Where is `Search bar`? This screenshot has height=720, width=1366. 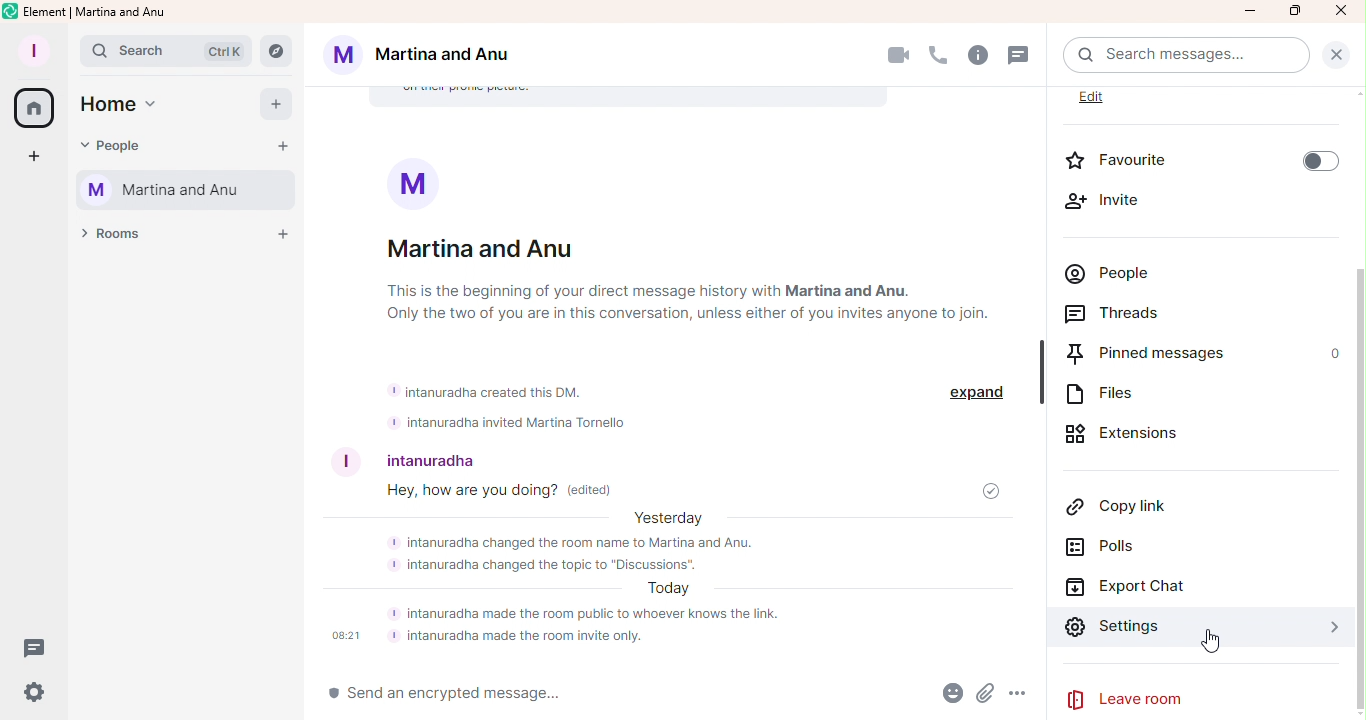 Search bar is located at coordinates (167, 50).